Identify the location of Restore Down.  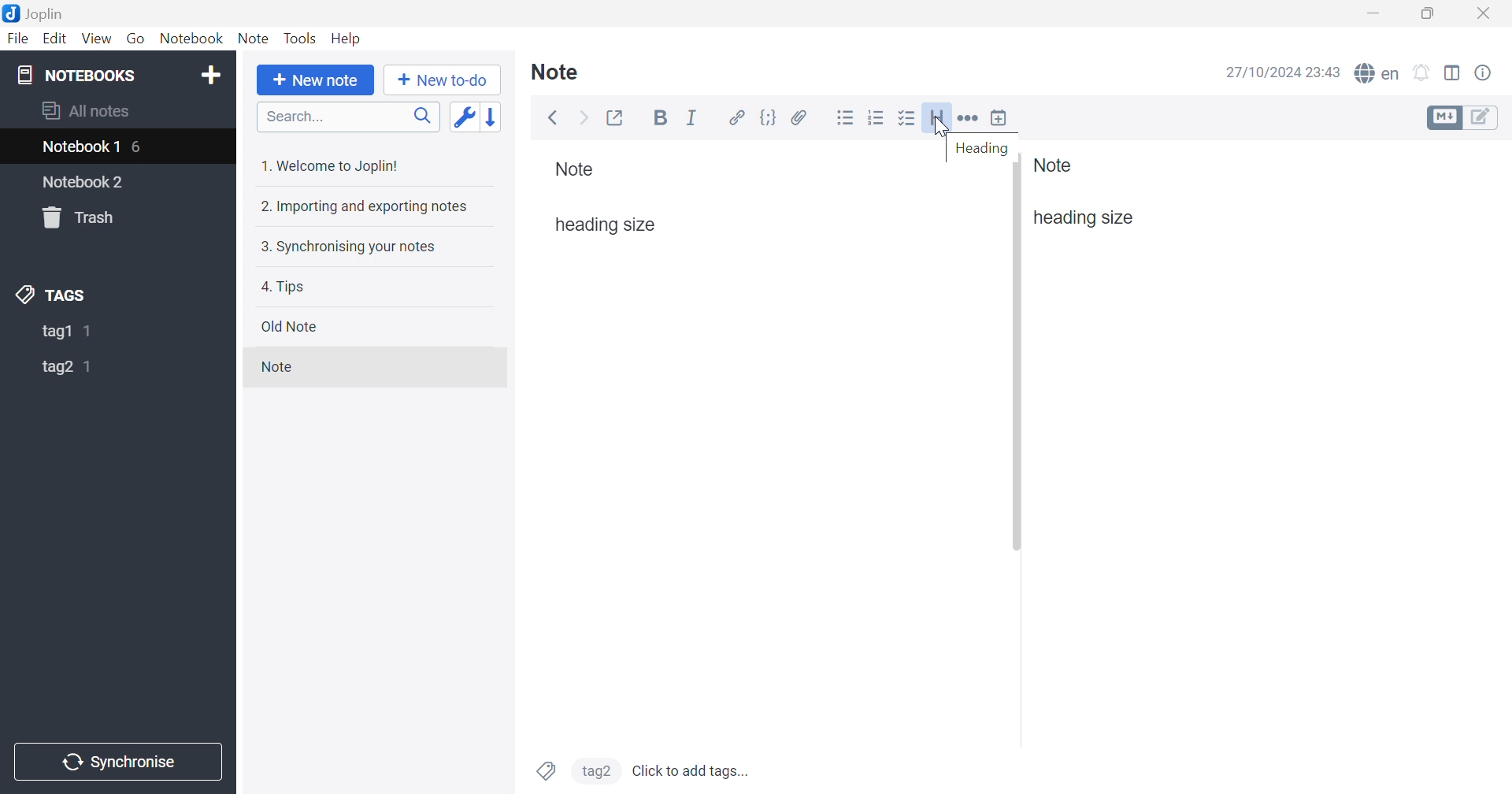
(1434, 13).